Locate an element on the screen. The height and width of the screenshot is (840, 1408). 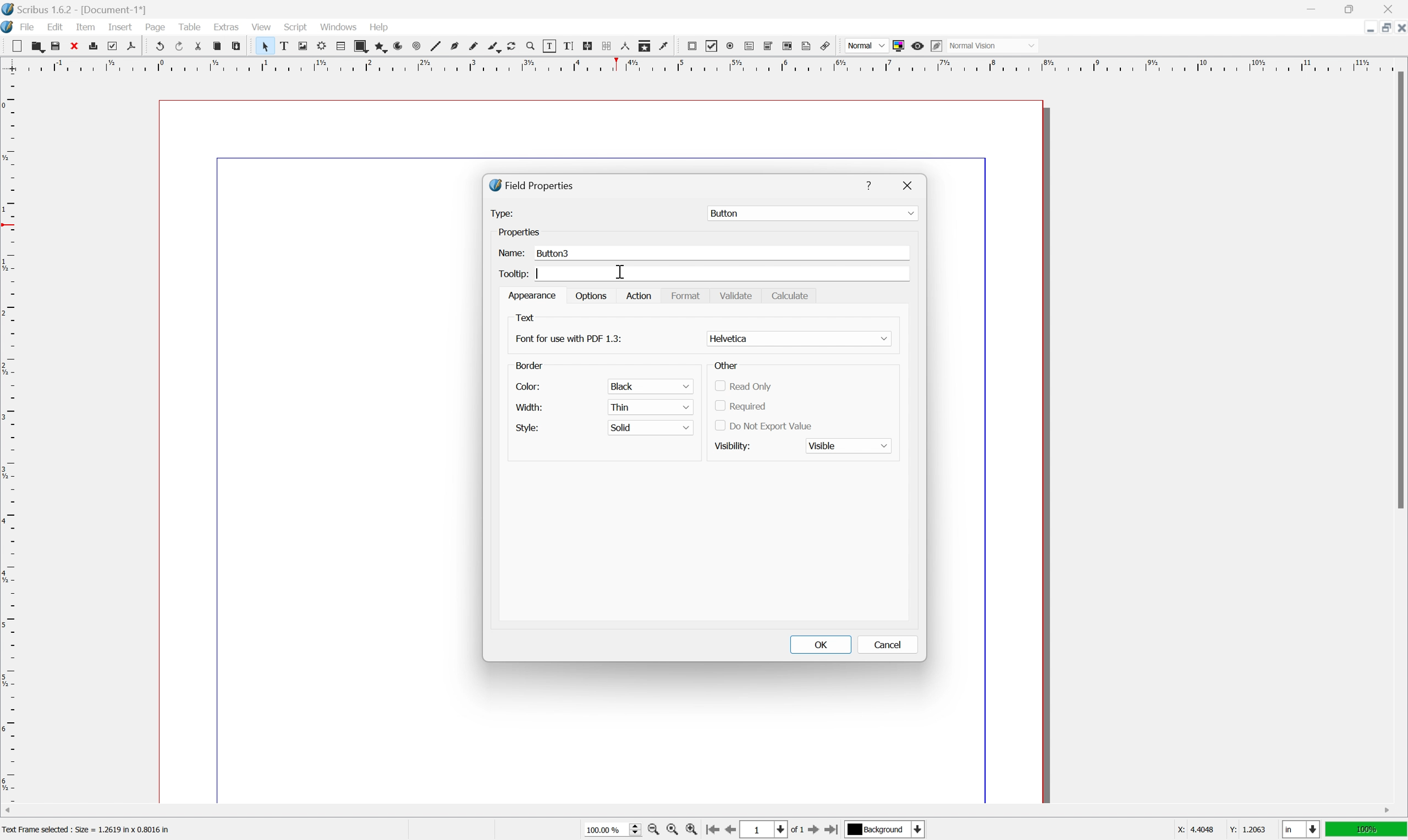
view is located at coordinates (262, 26).